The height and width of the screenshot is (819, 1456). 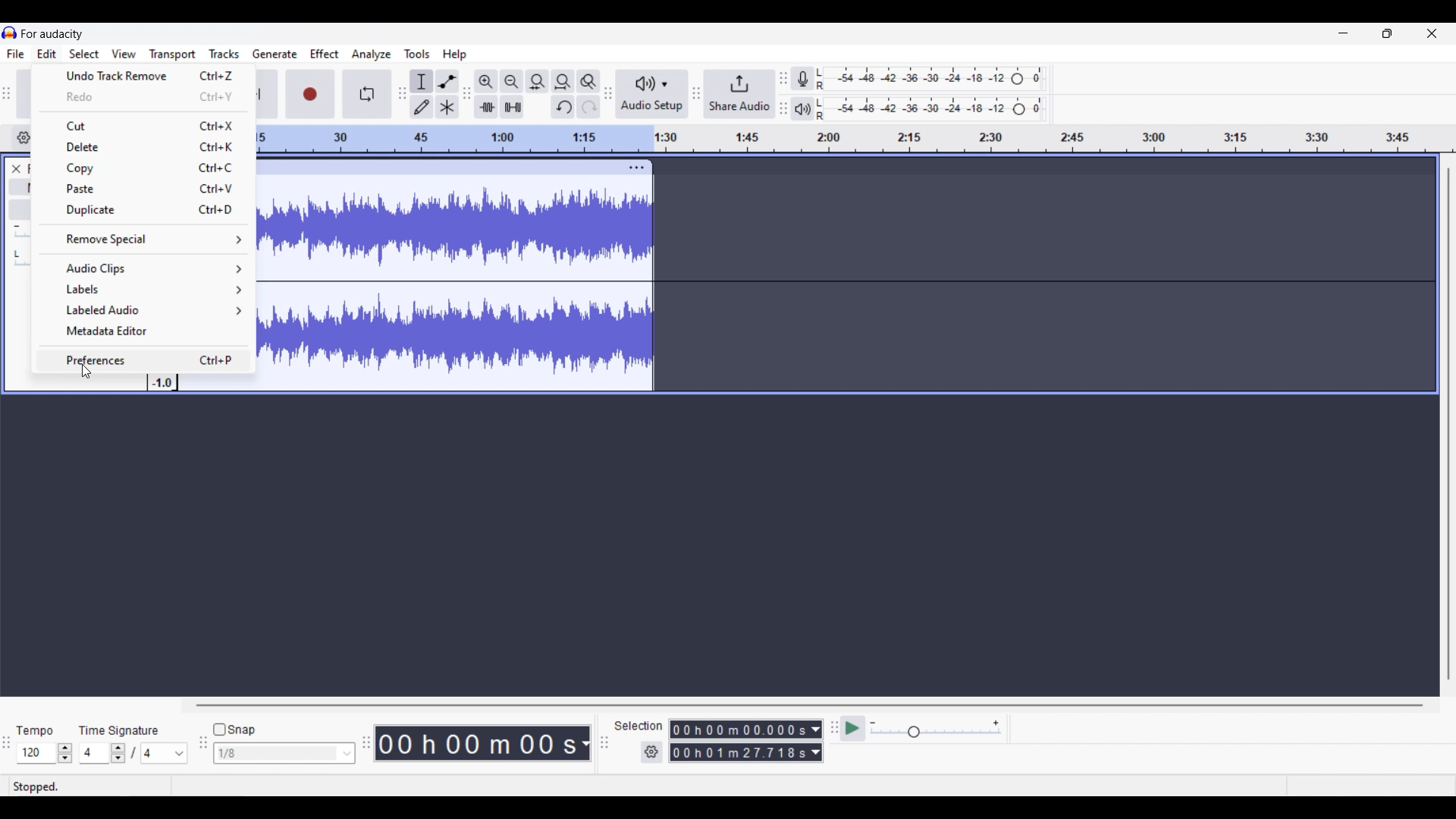 What do you see at coordinates (372, 55) in the screenshot?
I see `Analyze menu` at bounding box center [372, 55].